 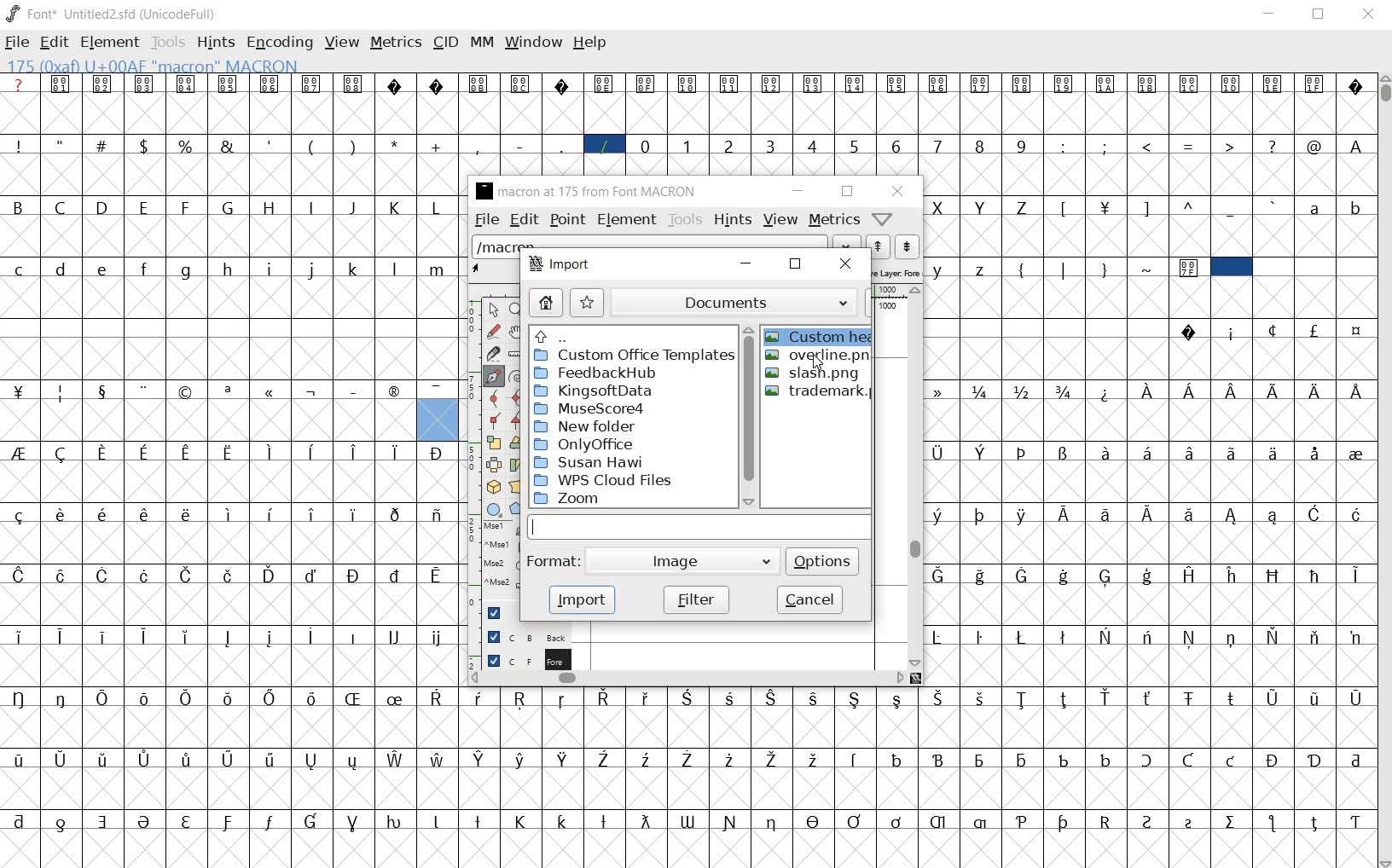 I want to click on `, so click(x=1273, y=205).